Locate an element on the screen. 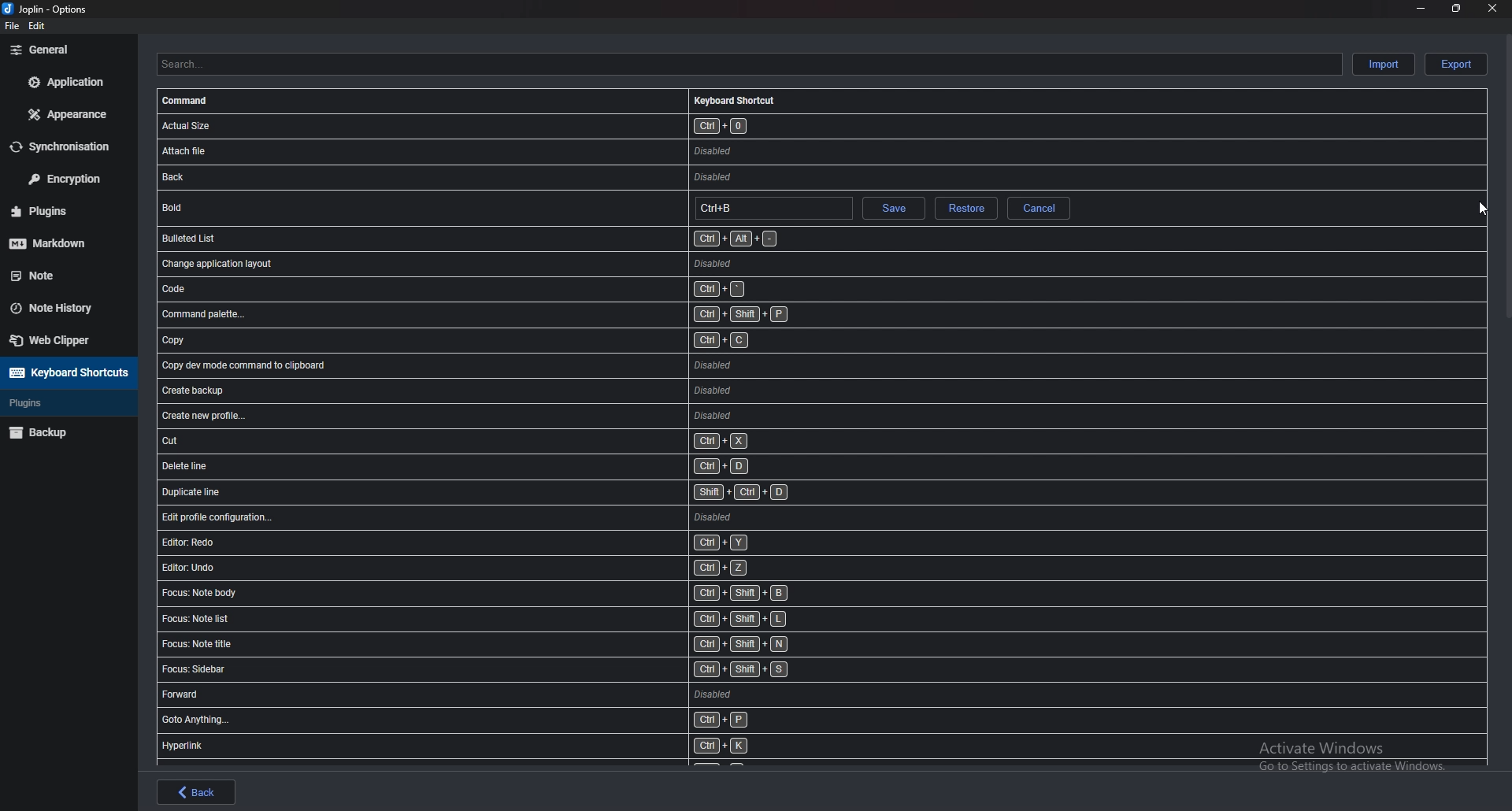 This screenshot has width=1512, height=811. shortcut is located at coordinates (525, 415).